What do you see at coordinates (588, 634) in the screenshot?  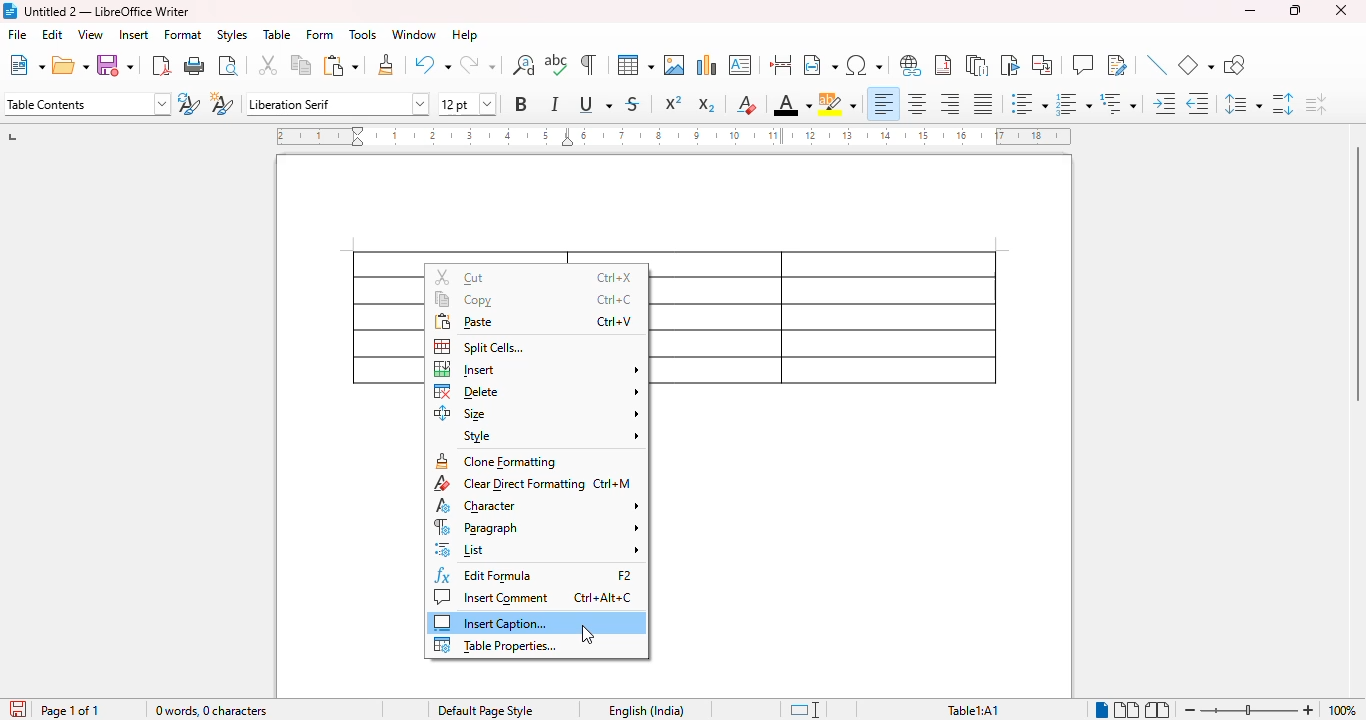 I see `cursor` at bounding box center [588, 634].